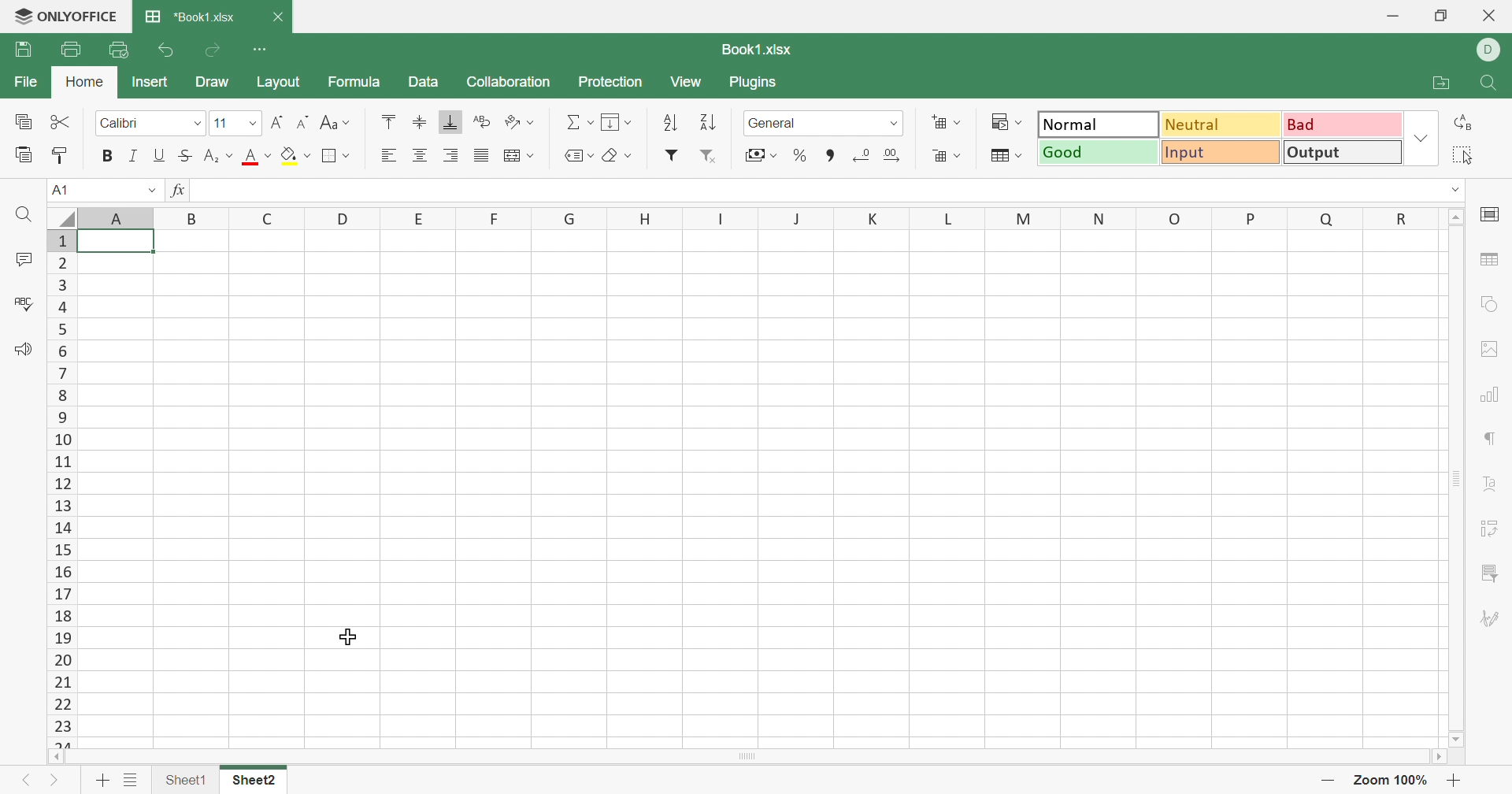  I want to click on Comma style, so click(830, 153).